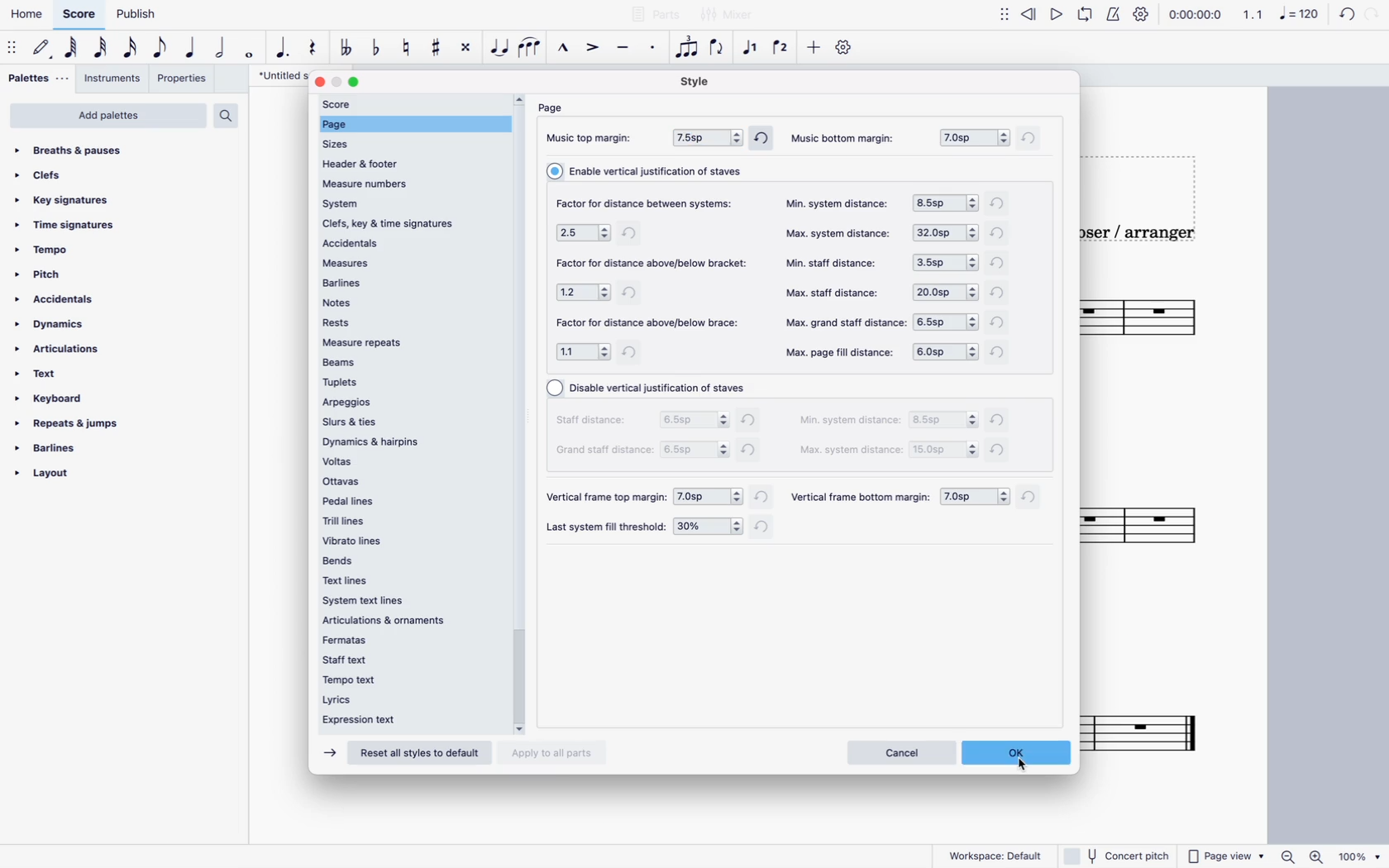  I want to click on options, so click(944, 353).